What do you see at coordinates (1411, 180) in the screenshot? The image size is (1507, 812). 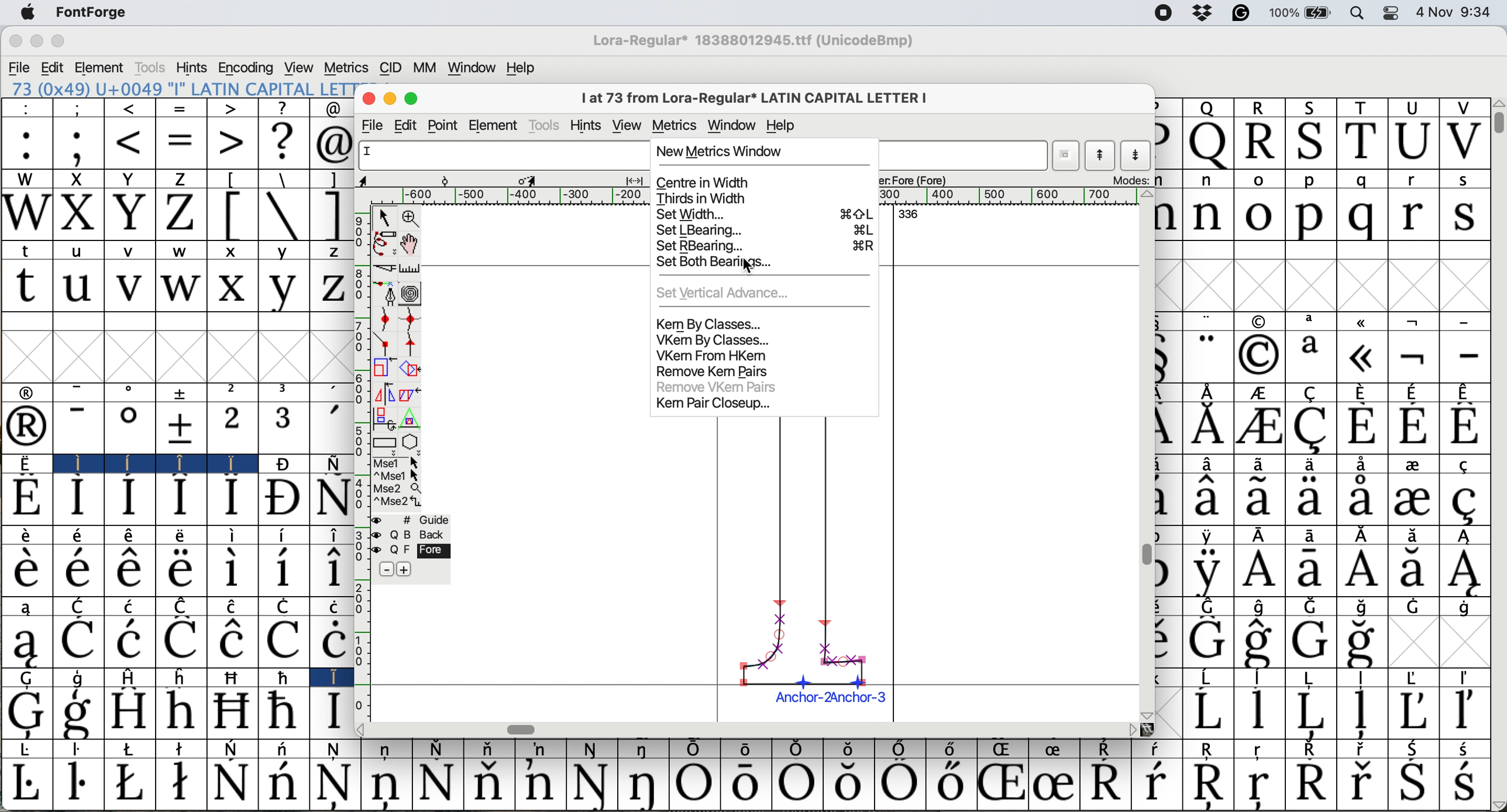 I see `r` at bounding box center [1411, 180].